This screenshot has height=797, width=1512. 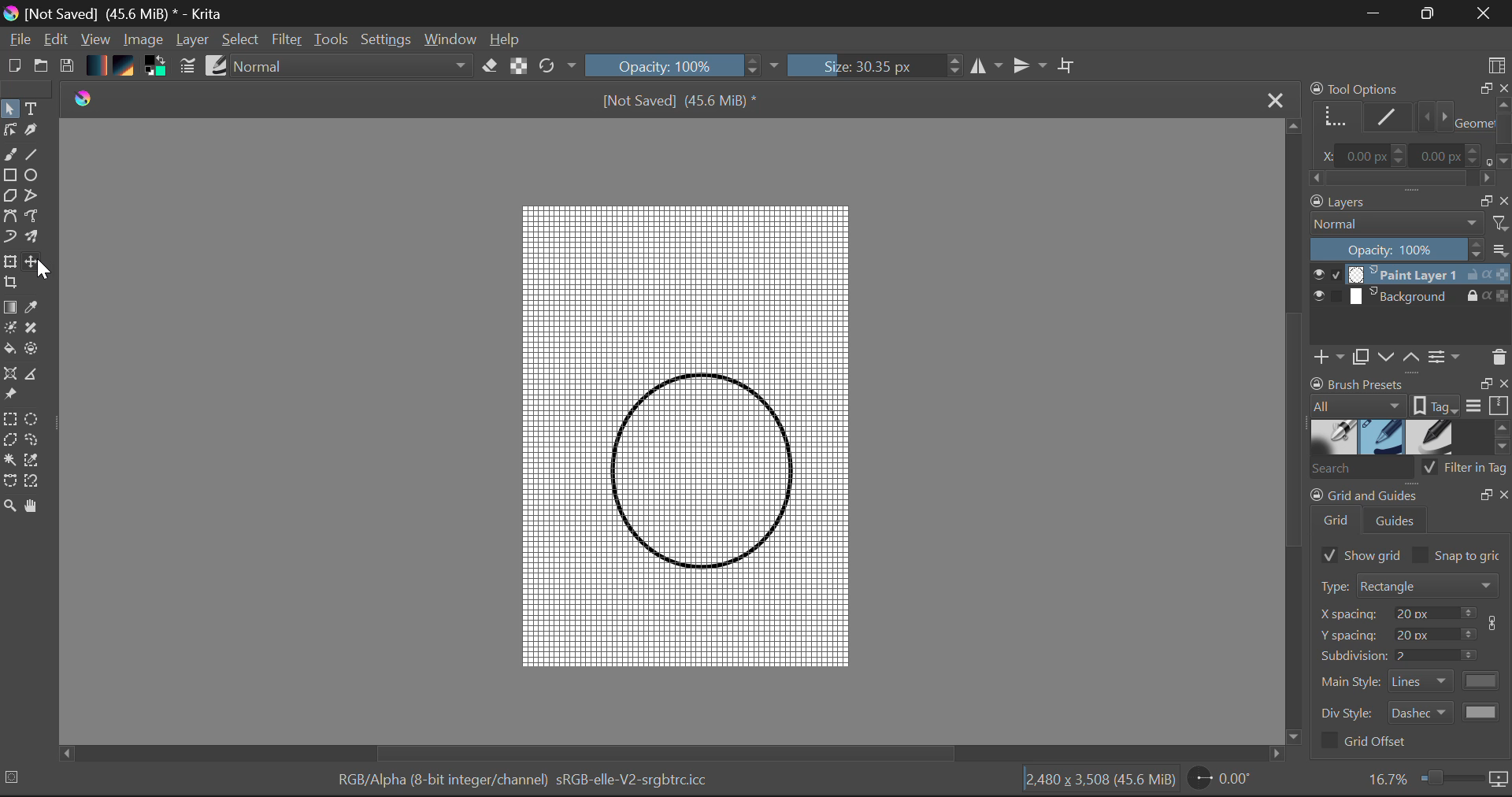 What do you see at coordinates (36, 328) in the screenshot?
I see `Smart Patch Tool` at bounding box center [36, 328].